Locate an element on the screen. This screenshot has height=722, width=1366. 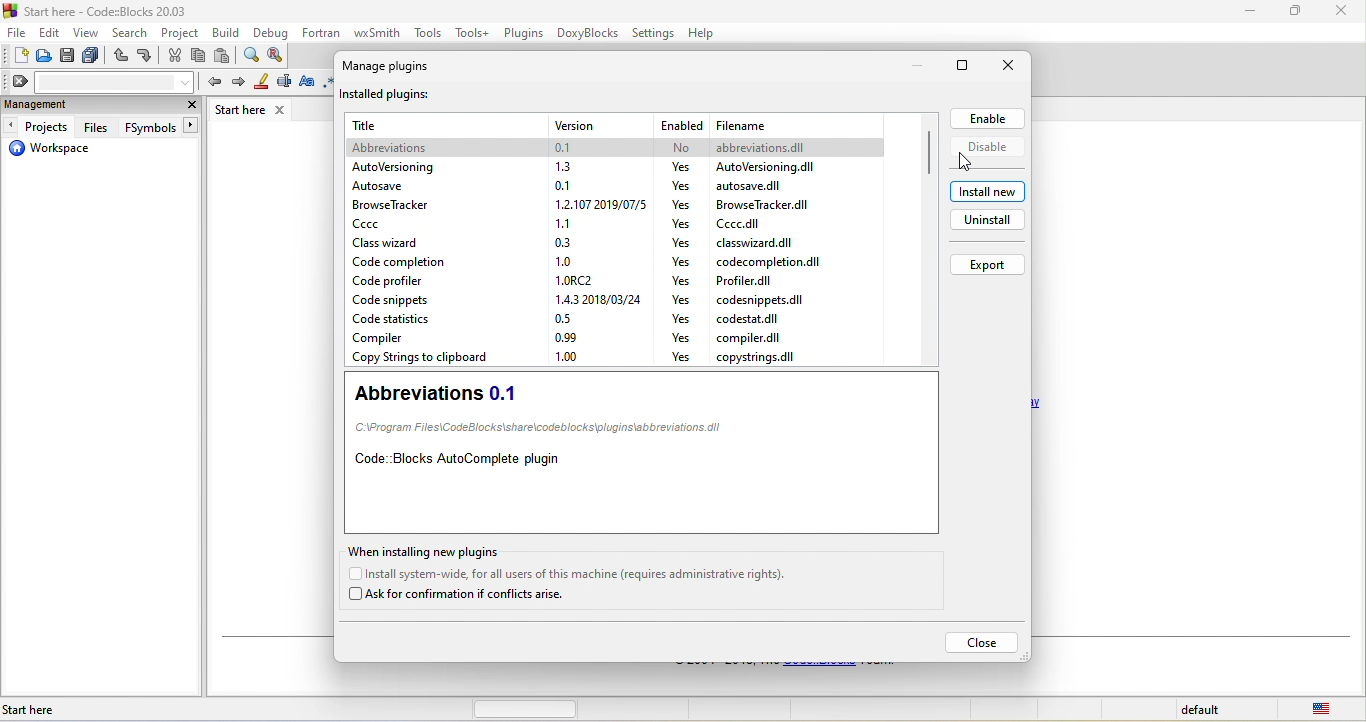
wxsmith is located at coordinates (380, 31).